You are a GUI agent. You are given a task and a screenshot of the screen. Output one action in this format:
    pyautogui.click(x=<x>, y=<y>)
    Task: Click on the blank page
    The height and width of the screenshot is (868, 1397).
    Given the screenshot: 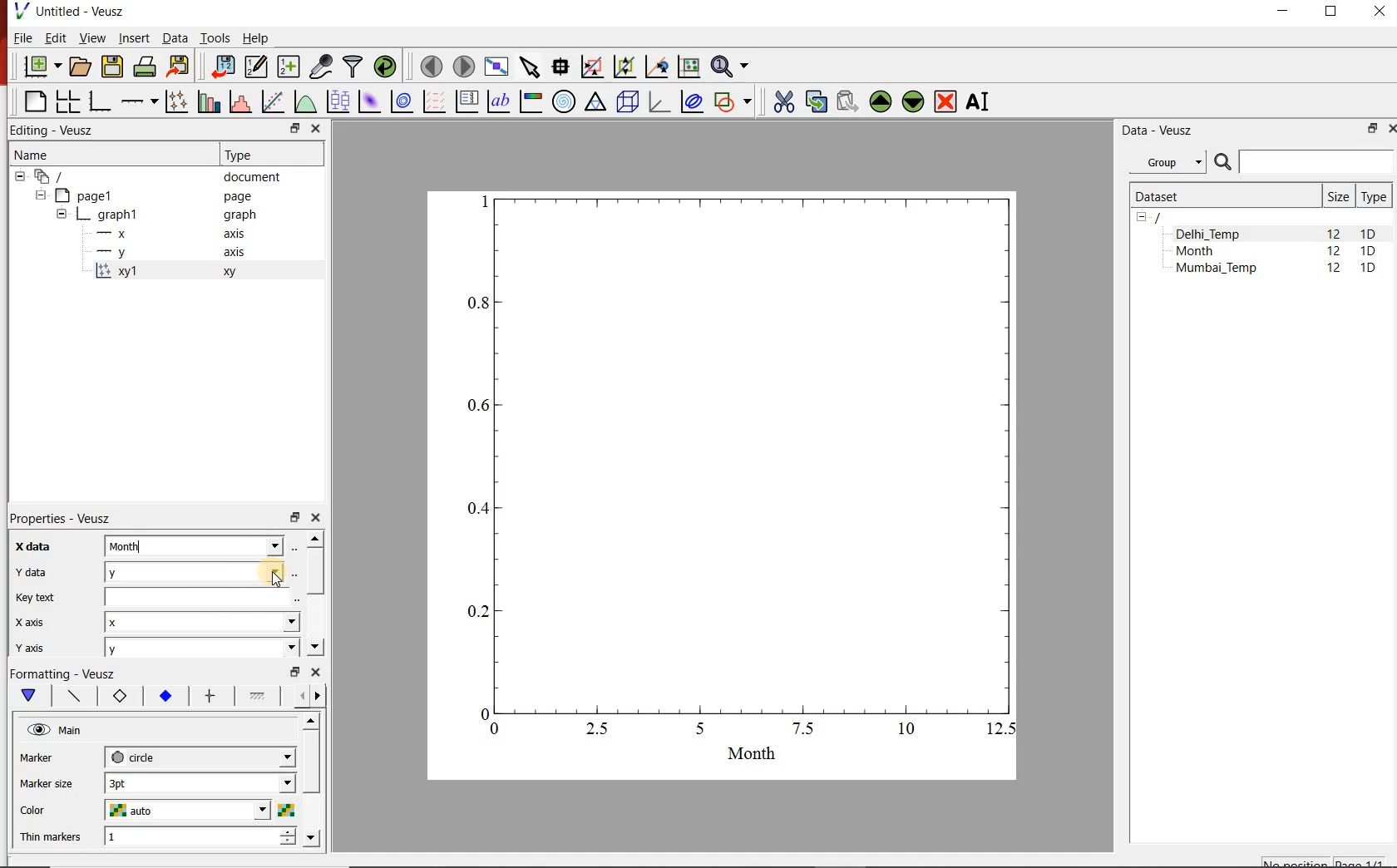 What is the action you would take?
    pyautogui.click(x=32, y=101)
    